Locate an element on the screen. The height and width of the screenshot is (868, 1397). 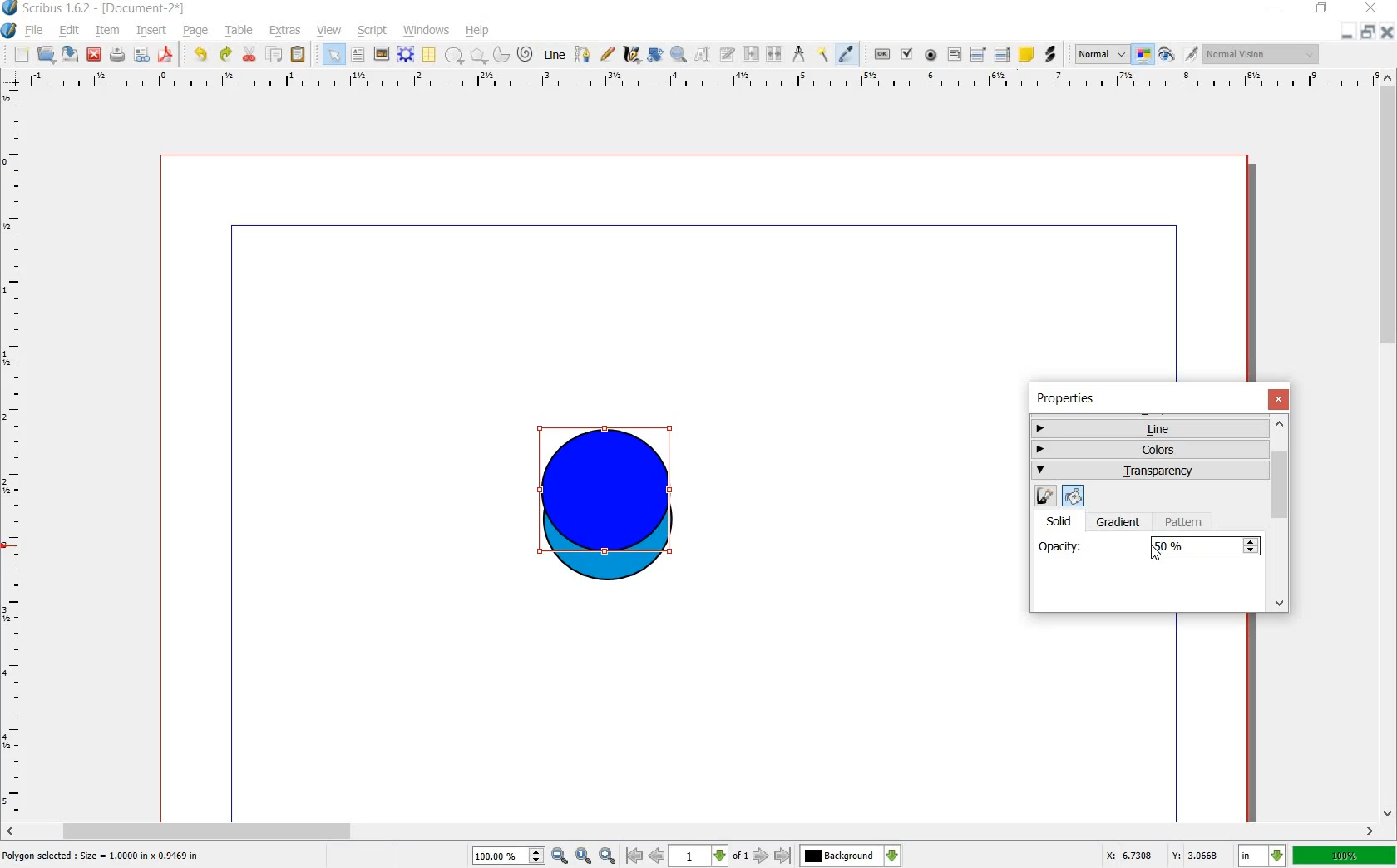
edit contents of frame is located at coordinates (701, 54).